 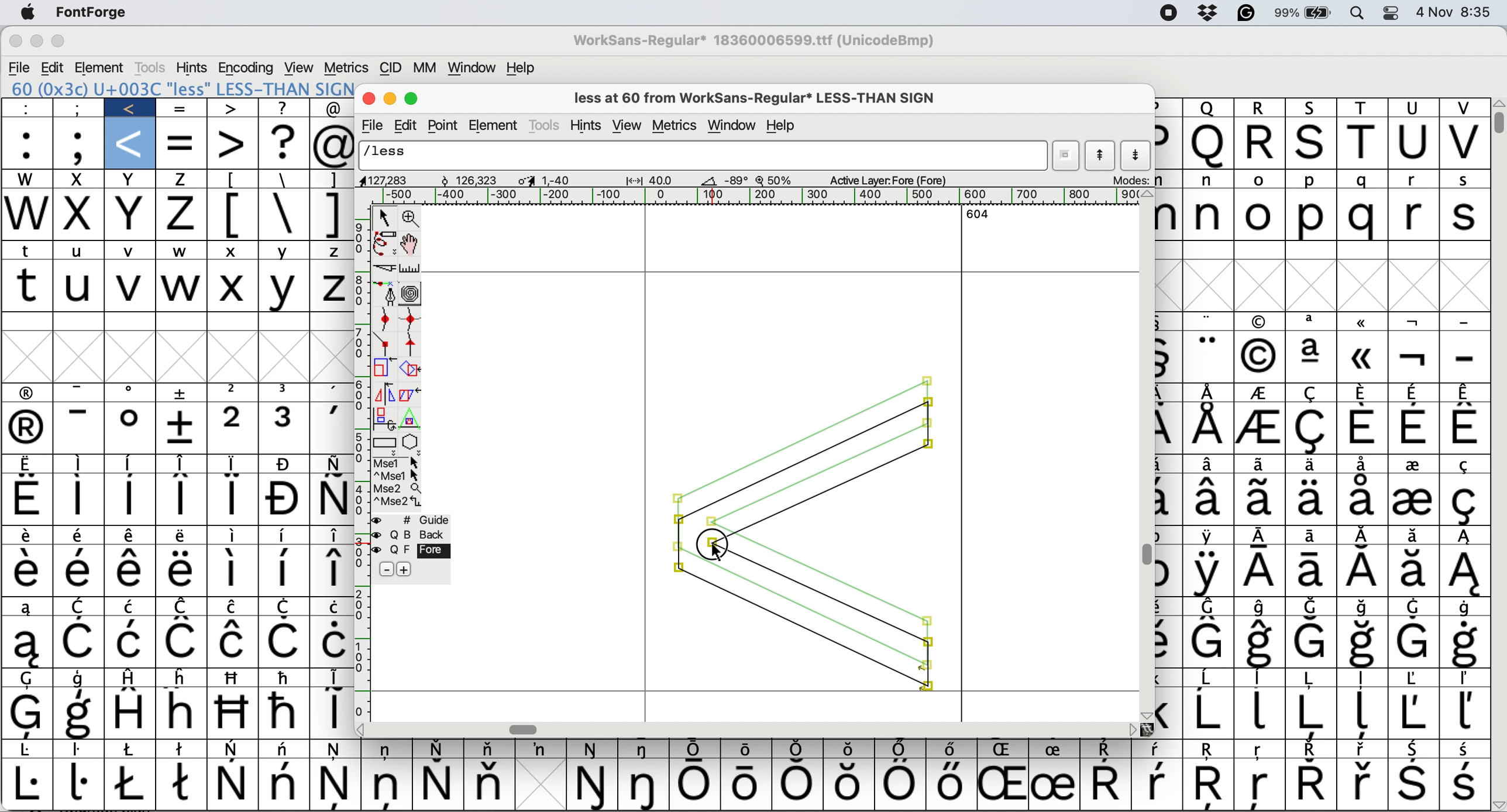 I want to click on horizontal scroll bar, so click(x=744, y=728).